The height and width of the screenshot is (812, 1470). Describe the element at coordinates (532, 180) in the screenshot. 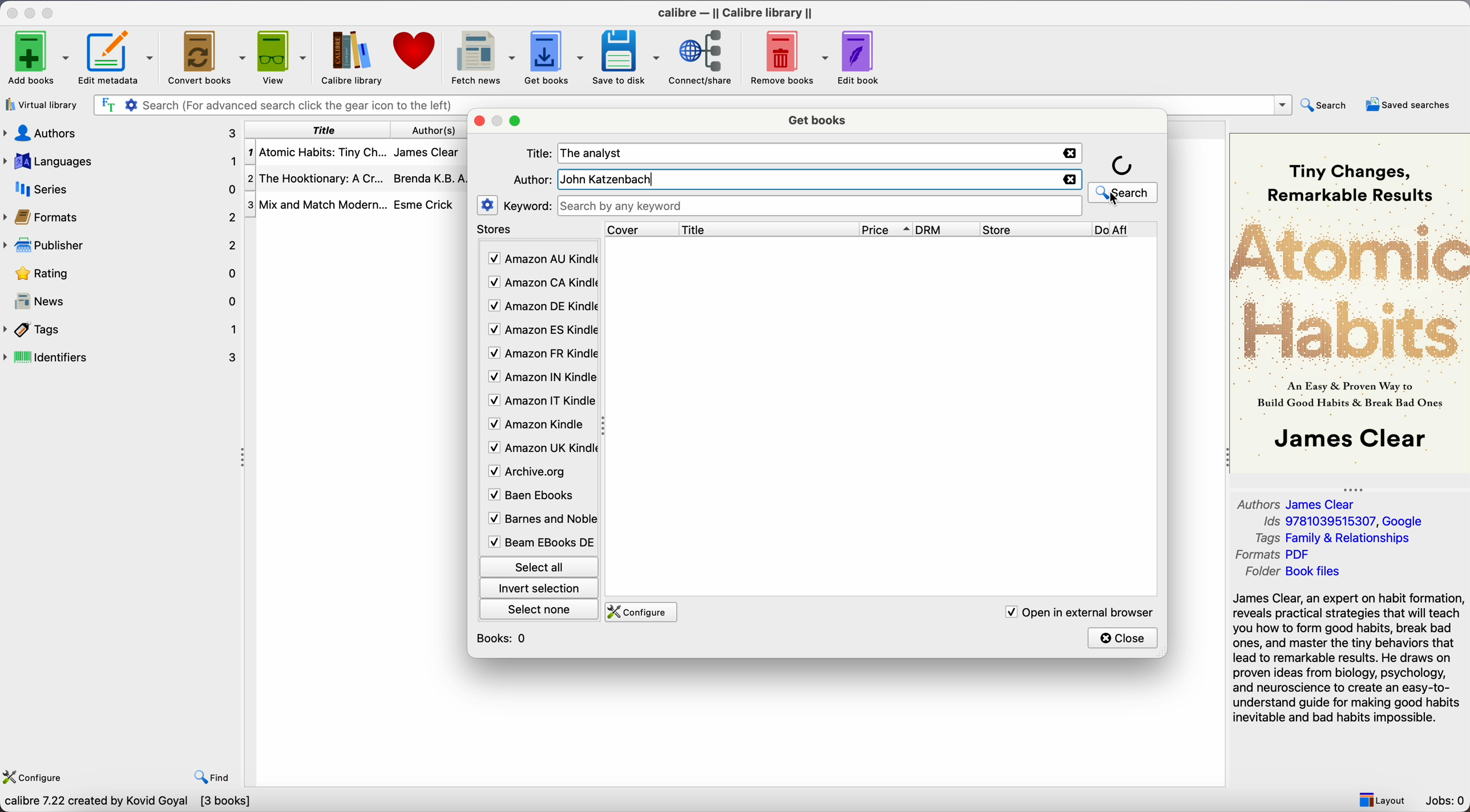

I see `Author:` at that location.